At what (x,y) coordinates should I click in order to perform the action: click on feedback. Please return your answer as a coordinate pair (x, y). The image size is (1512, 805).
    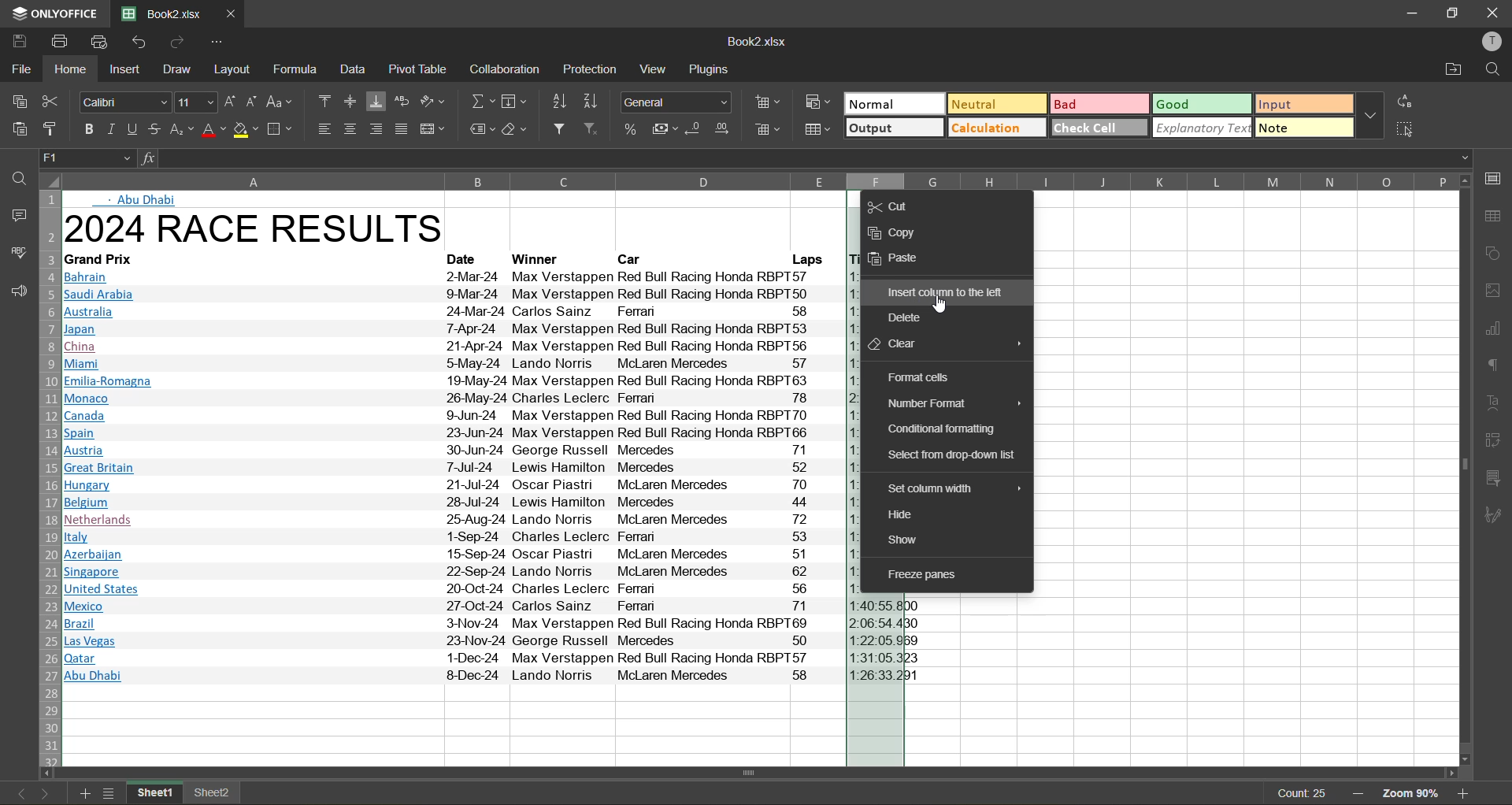
    Looking at the image, I should click on (14, 290).